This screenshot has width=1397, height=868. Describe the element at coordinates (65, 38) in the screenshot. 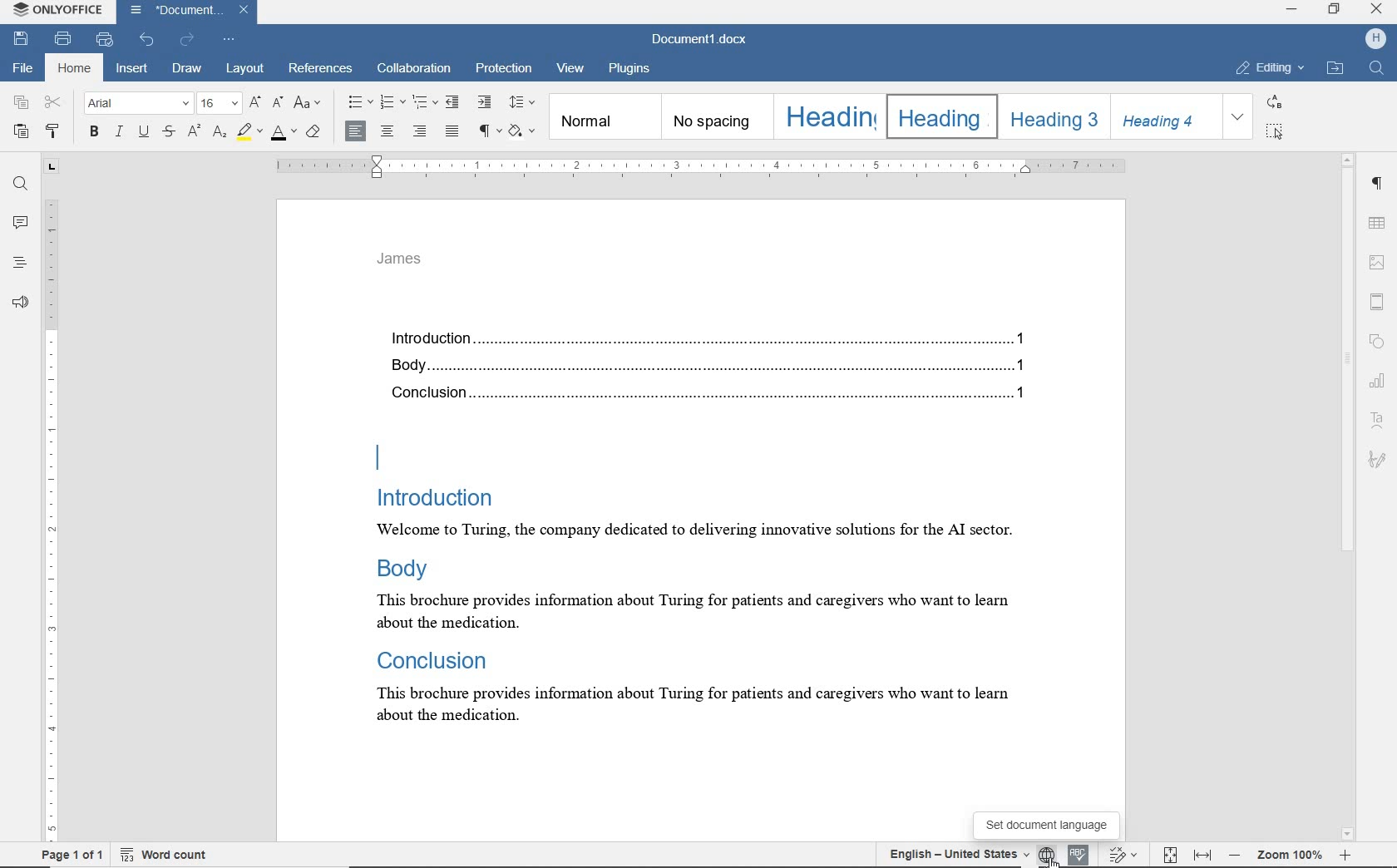

I see `print` at that location.